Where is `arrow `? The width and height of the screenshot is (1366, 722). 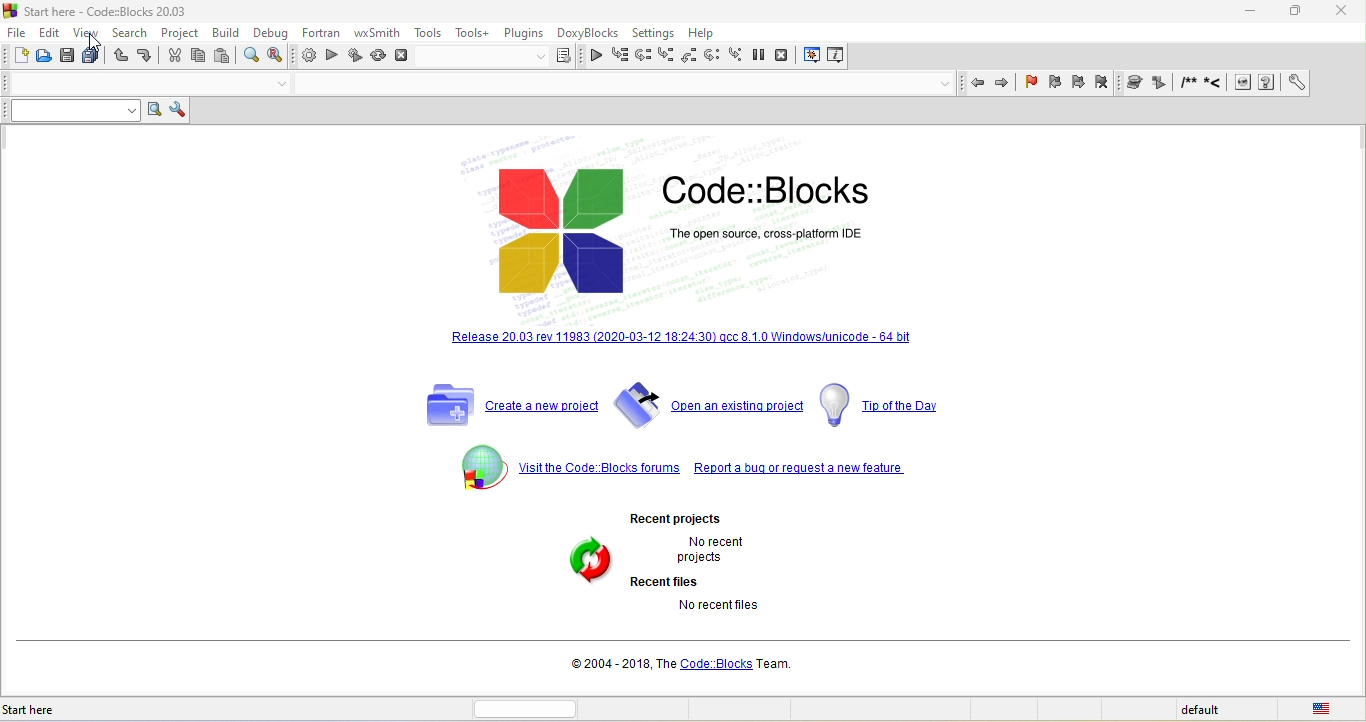 arrow  is located at coordinates (269, 84).